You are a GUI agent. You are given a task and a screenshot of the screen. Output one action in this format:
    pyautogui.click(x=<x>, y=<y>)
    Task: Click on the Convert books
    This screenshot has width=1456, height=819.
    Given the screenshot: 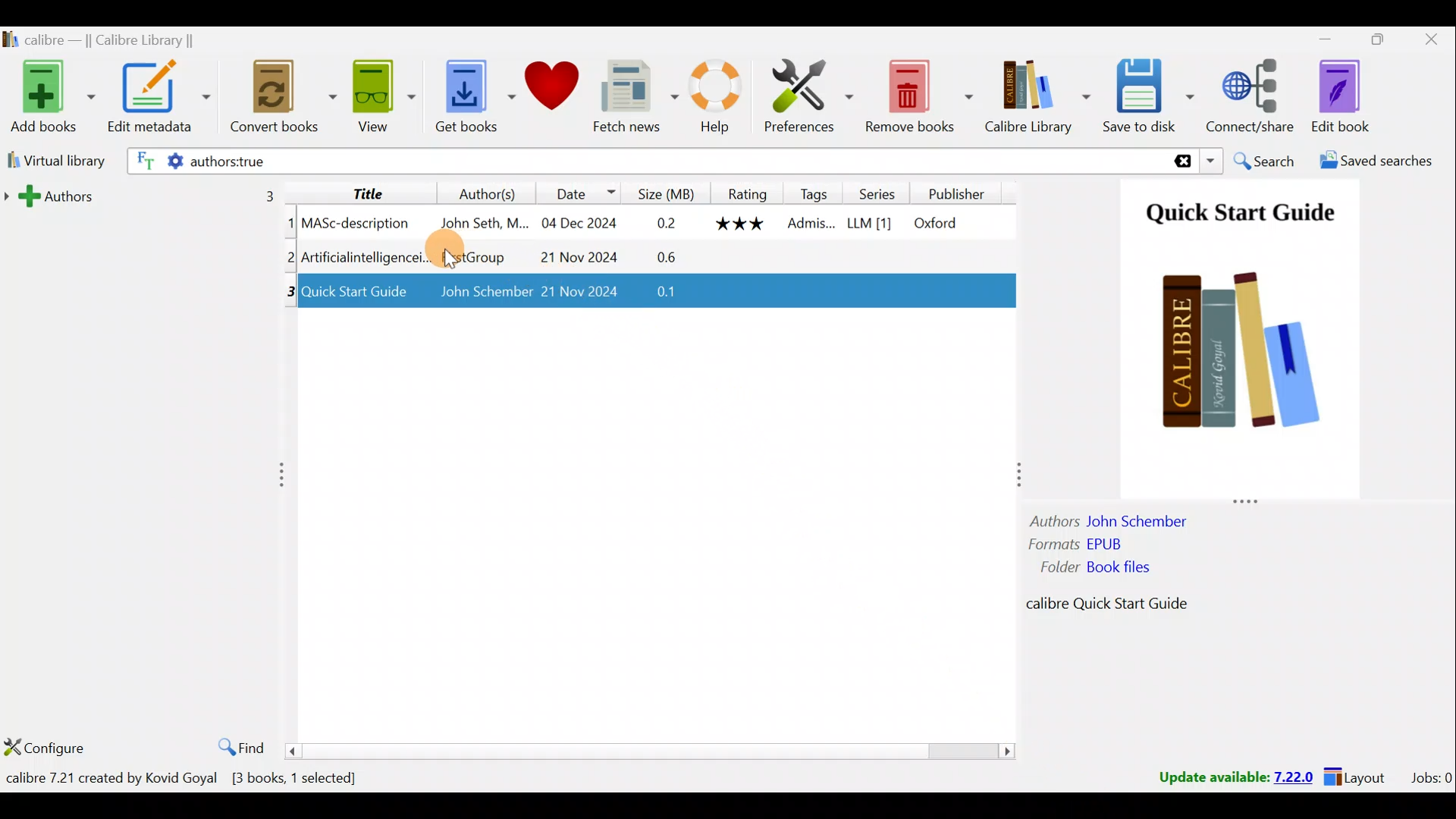 What is the action you would take?
    pyautogui.click(x=271, y=99)
    